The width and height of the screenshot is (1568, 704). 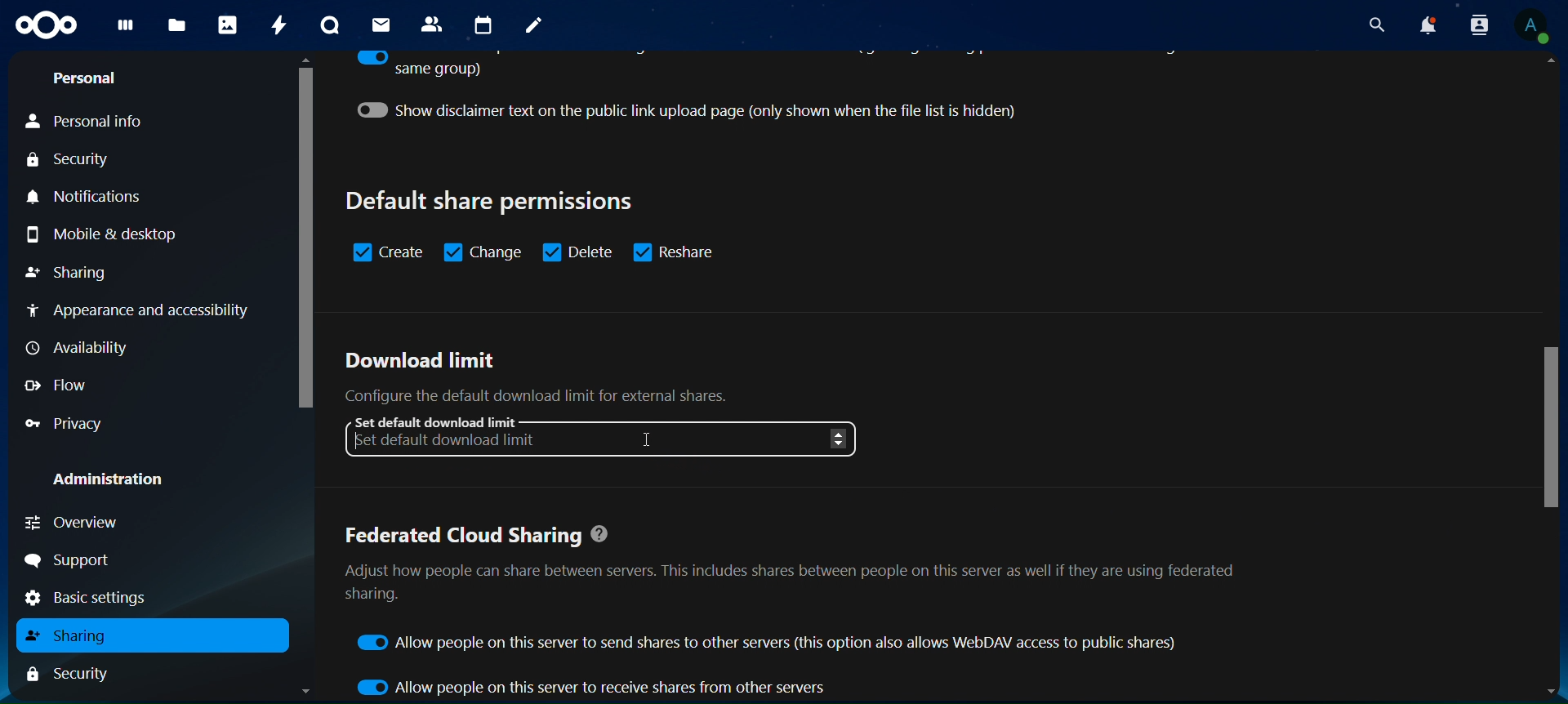 I want to click on overview, so click(x=85, y=520).